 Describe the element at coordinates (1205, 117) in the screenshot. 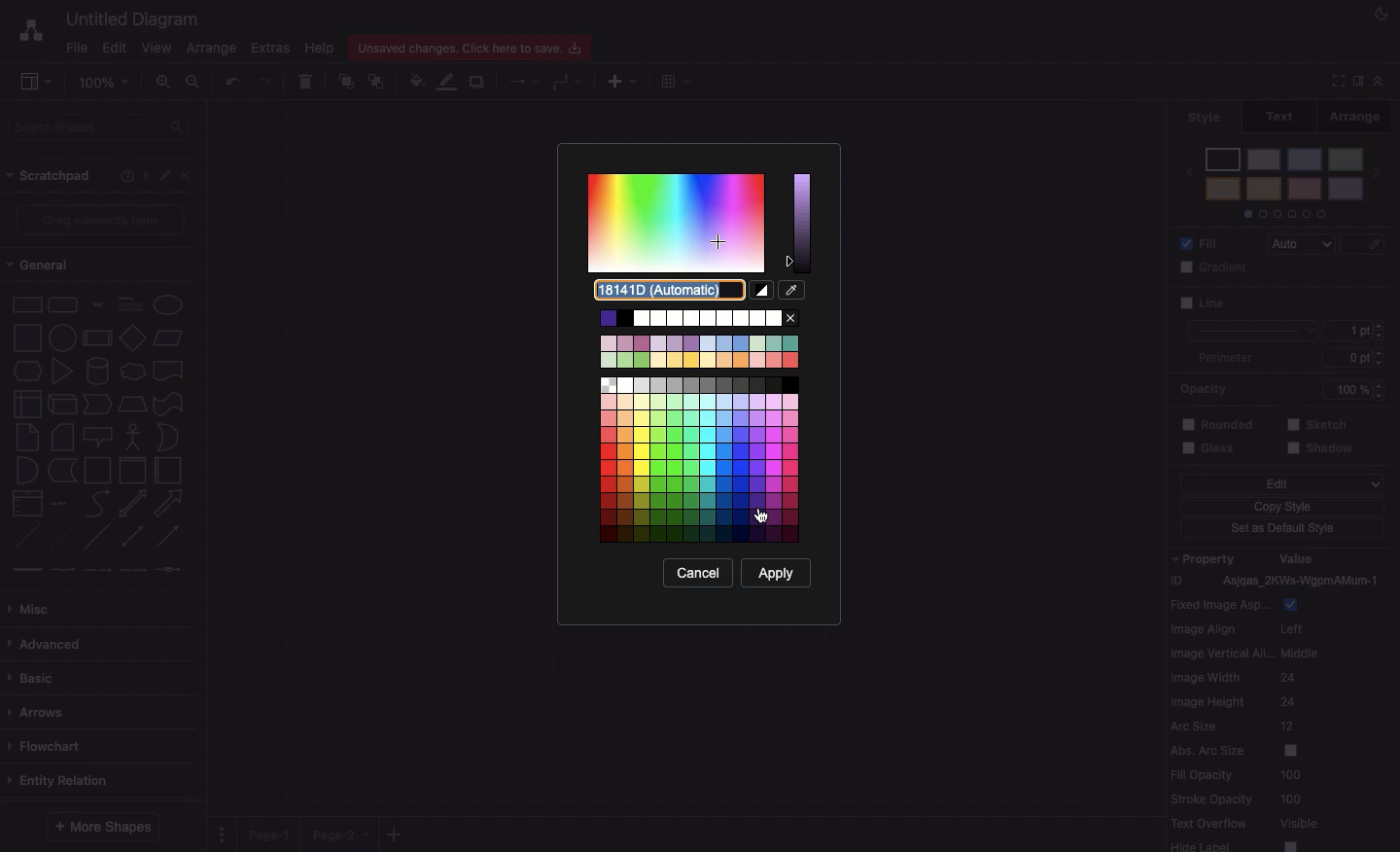

I see `style` at that location.